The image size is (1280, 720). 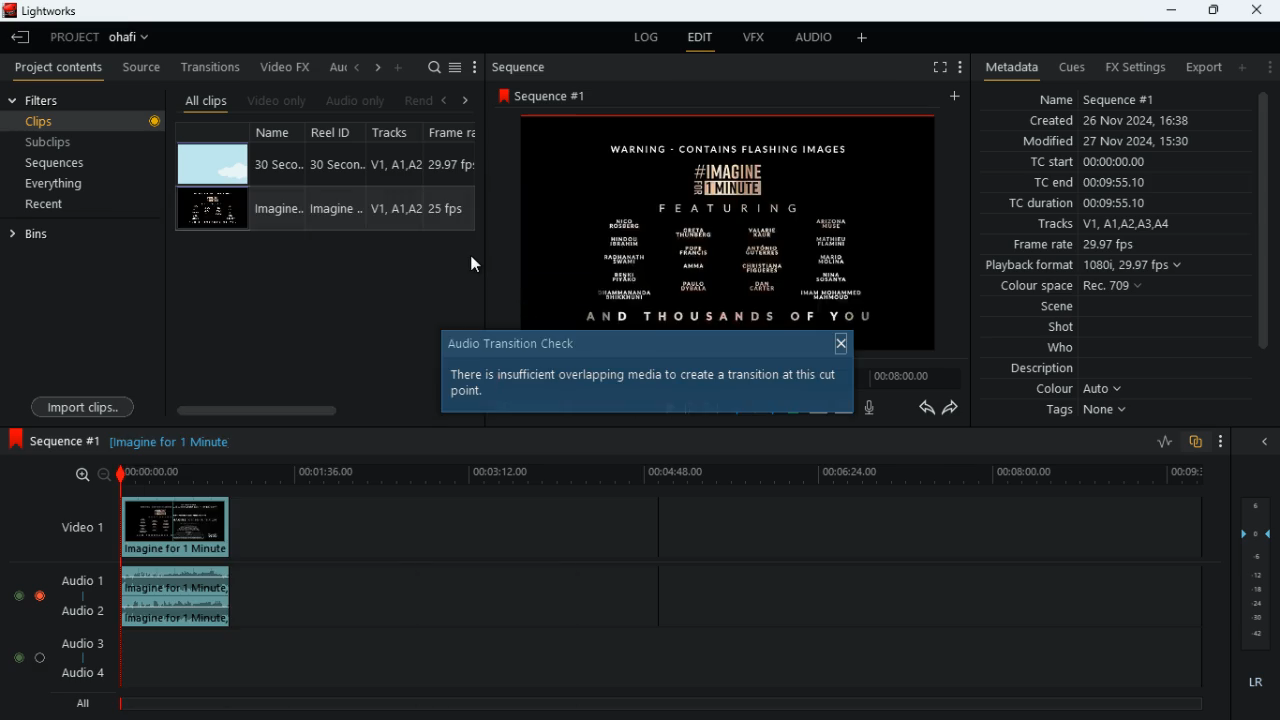 I want to click on video 1, so click(x=74, y=526).